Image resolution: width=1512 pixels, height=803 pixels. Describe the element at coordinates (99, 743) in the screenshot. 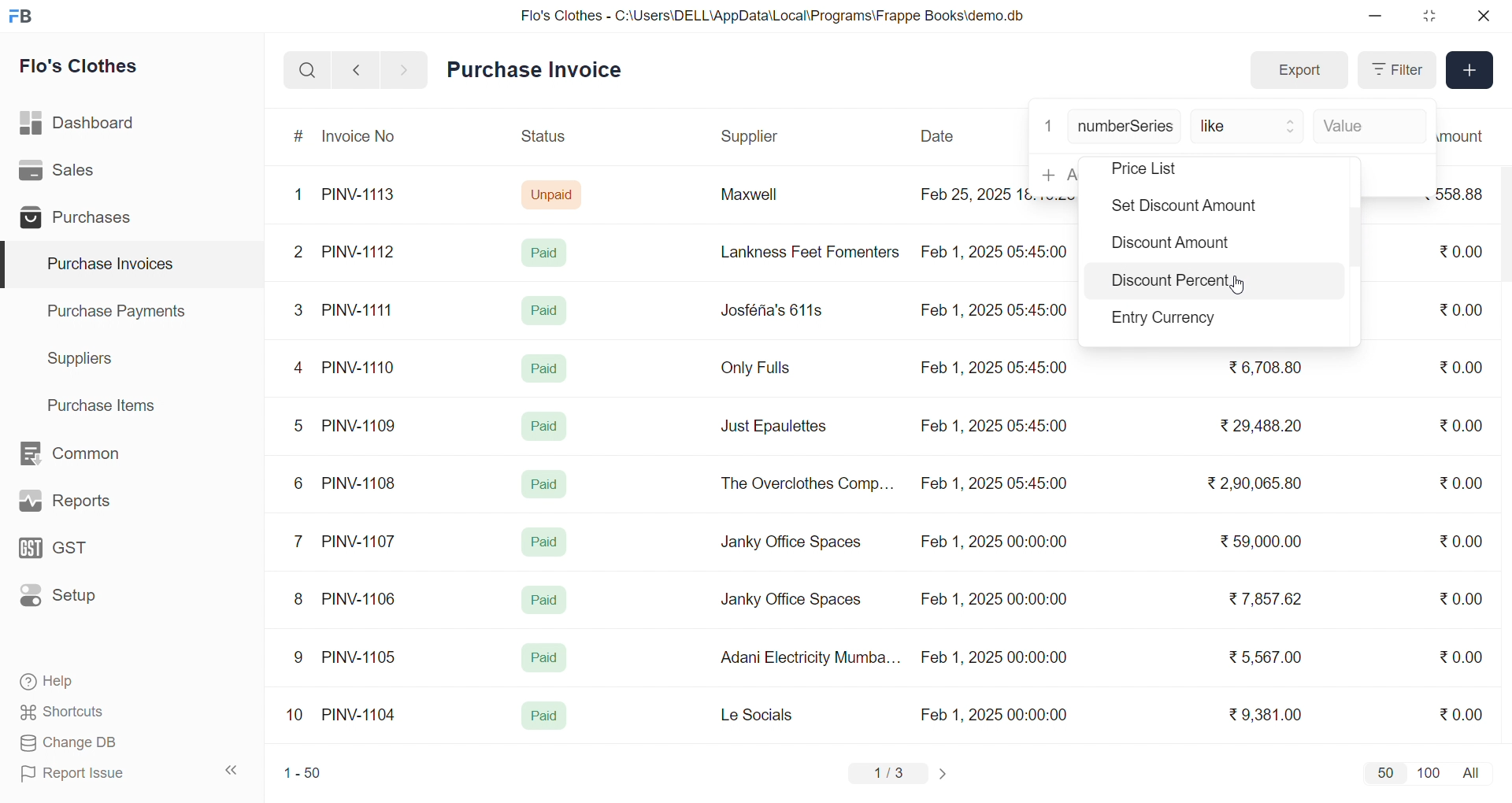

I see `Change DB` at that location.